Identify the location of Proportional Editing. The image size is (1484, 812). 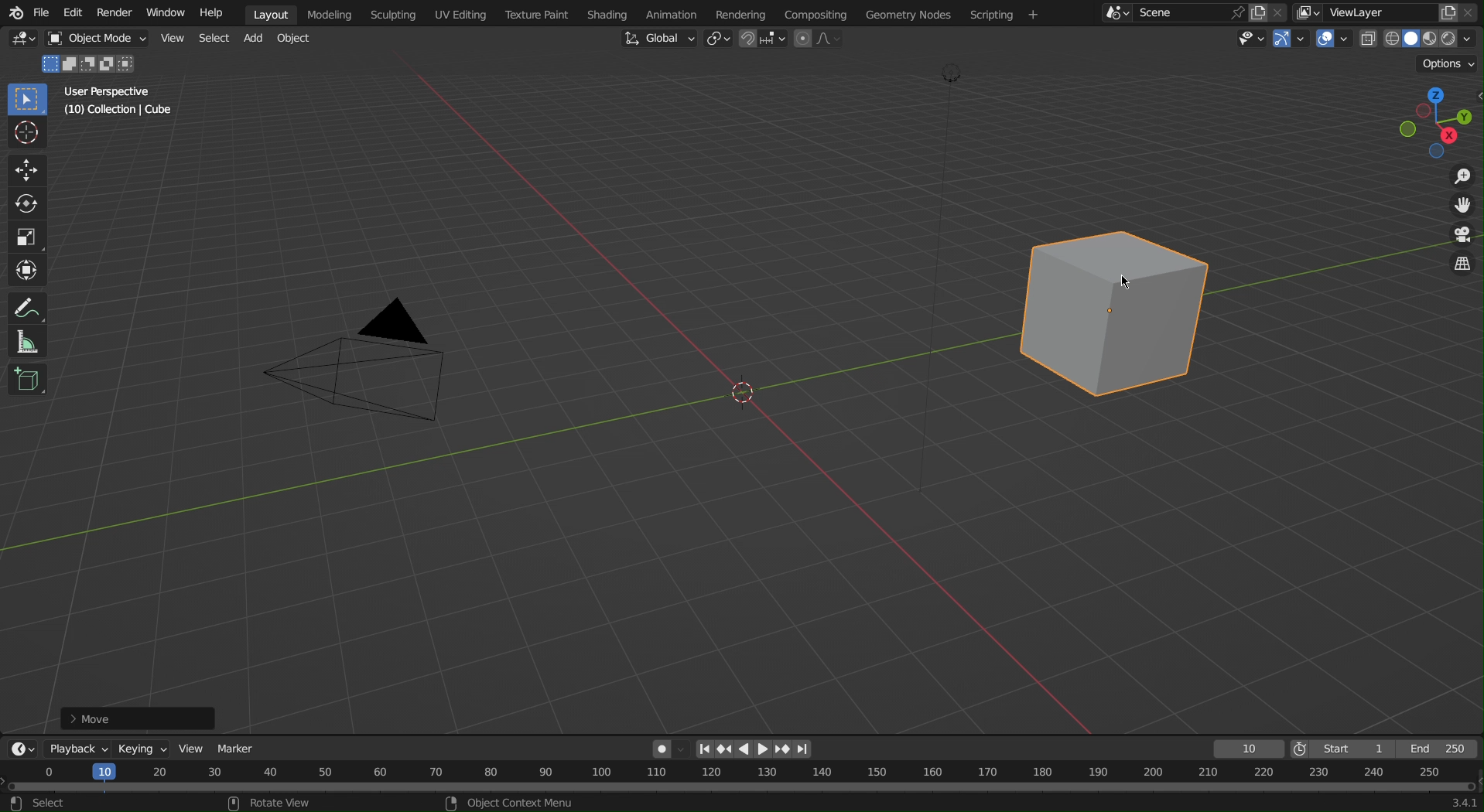
(819, 39).